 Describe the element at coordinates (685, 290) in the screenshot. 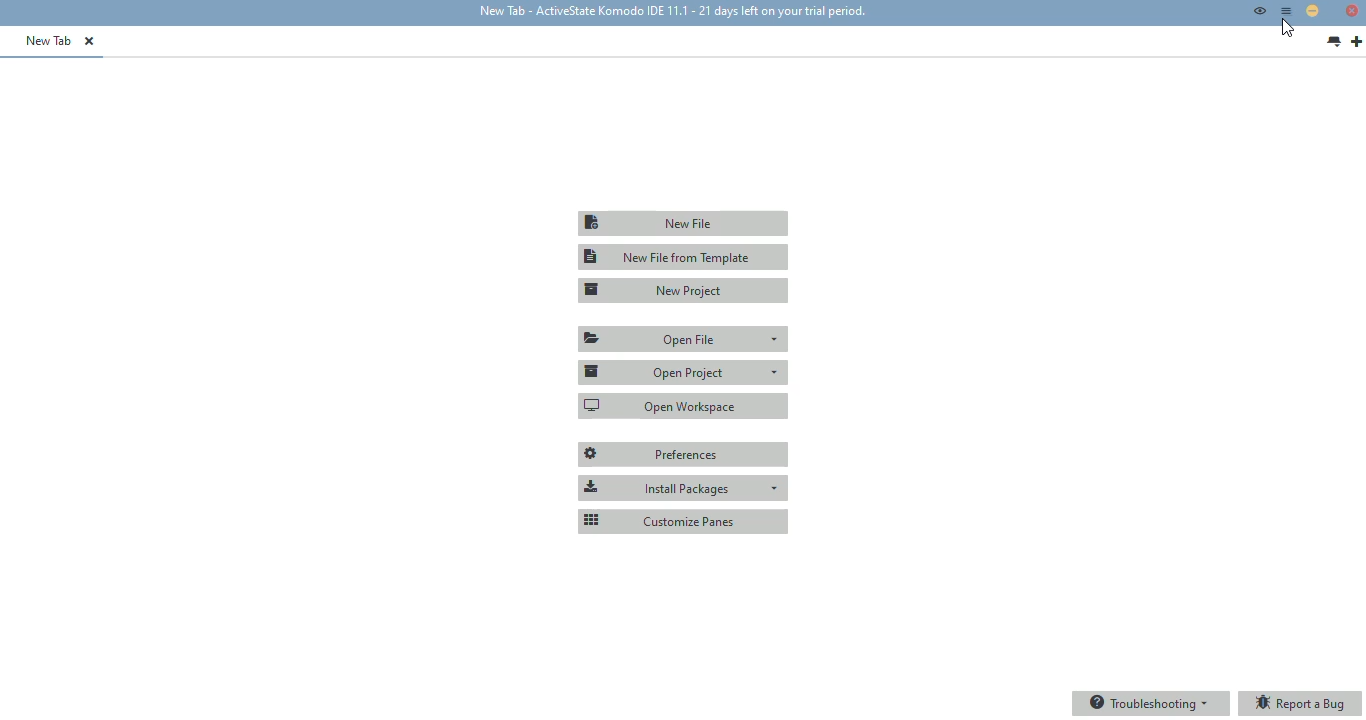

I see `new project` at that location.